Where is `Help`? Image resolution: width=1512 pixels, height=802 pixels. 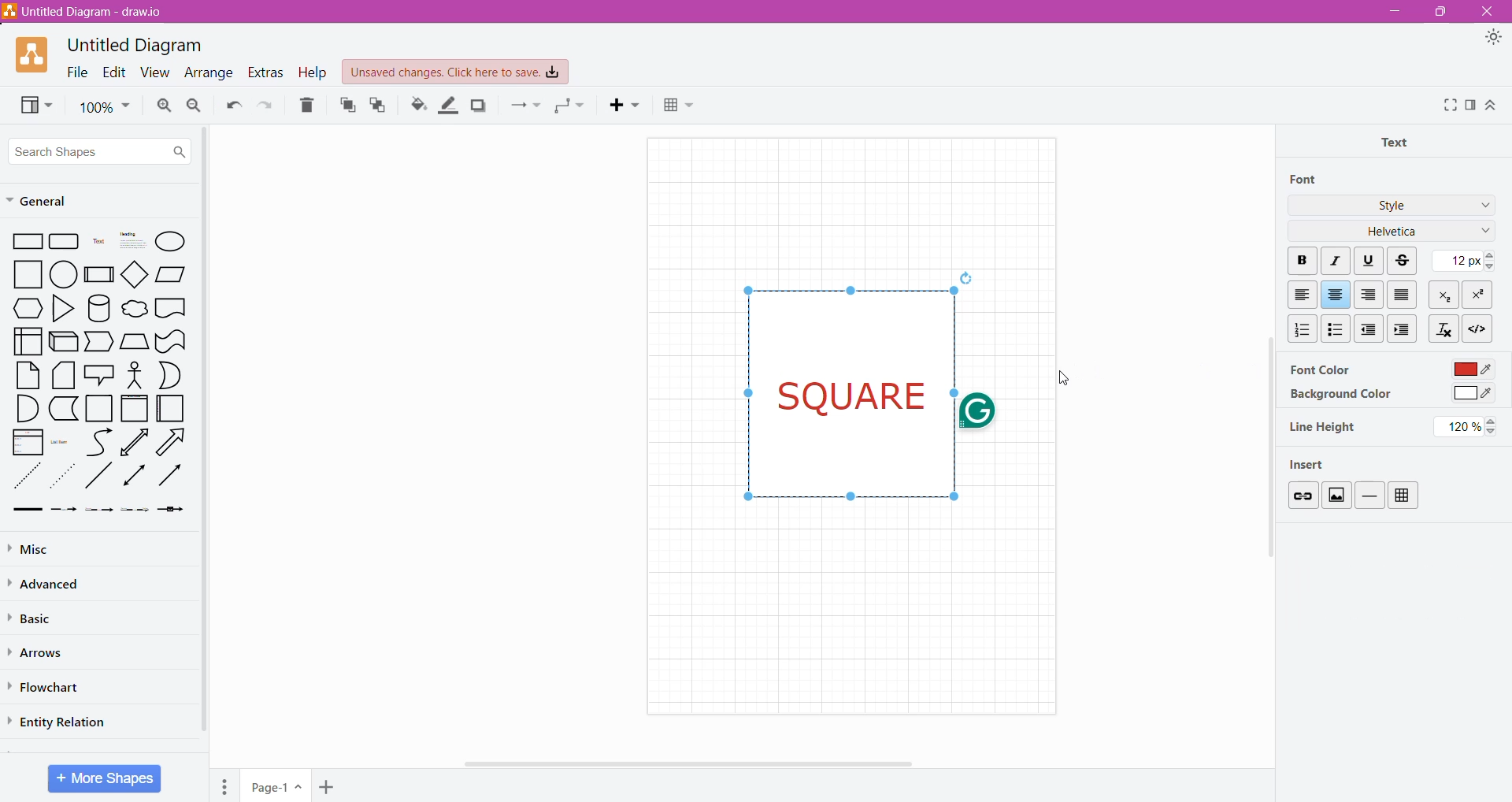 Help is located at coordinates (315, 72).